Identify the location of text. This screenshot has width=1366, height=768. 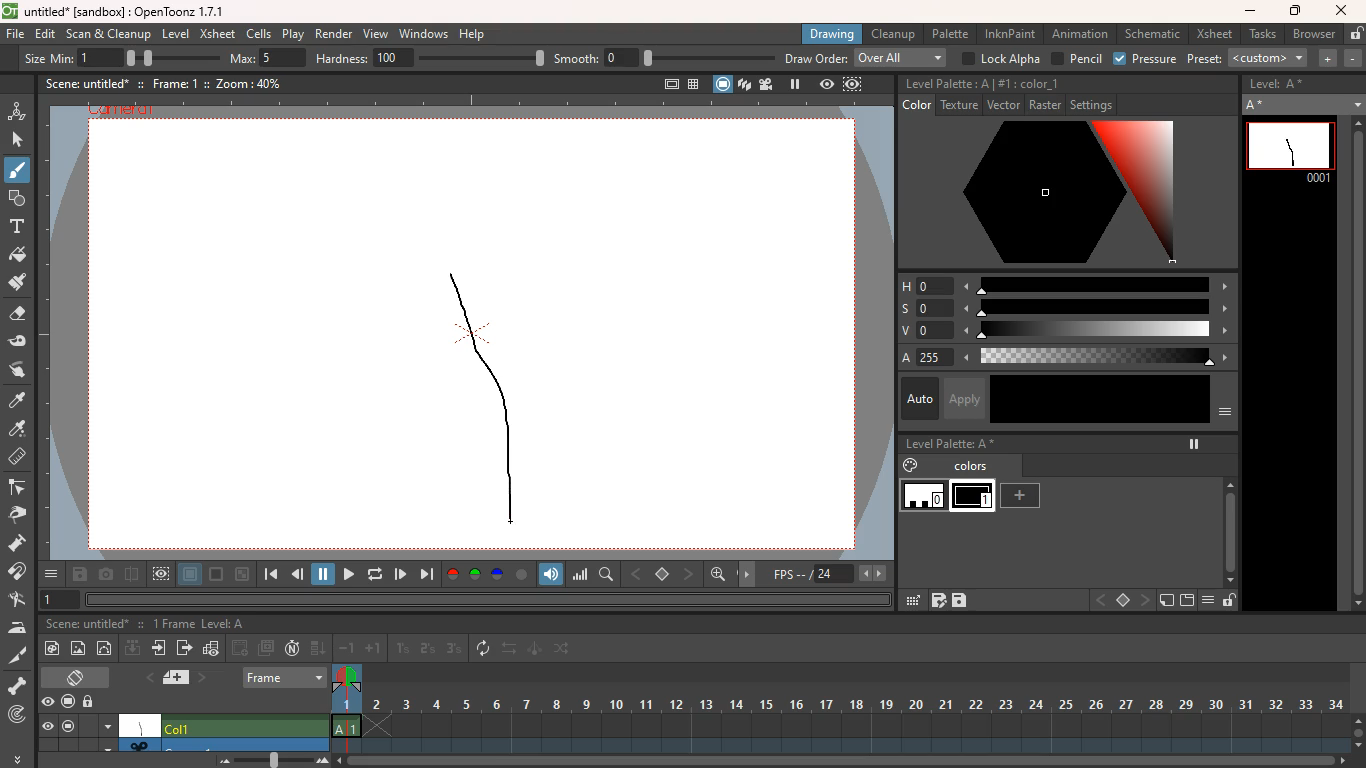
(17, 228).